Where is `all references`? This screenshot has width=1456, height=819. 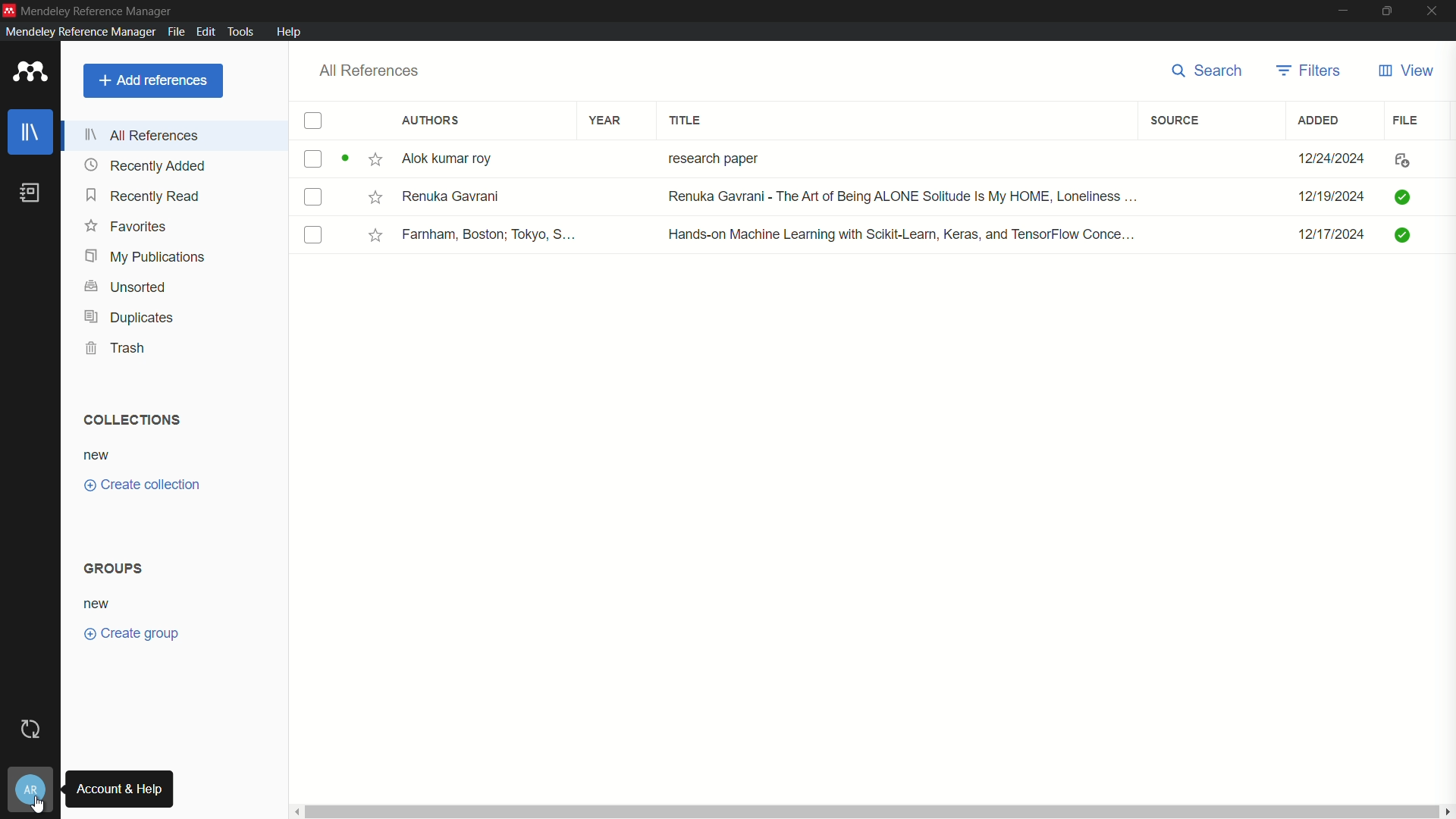
all references is located at coordinates (370, 71).